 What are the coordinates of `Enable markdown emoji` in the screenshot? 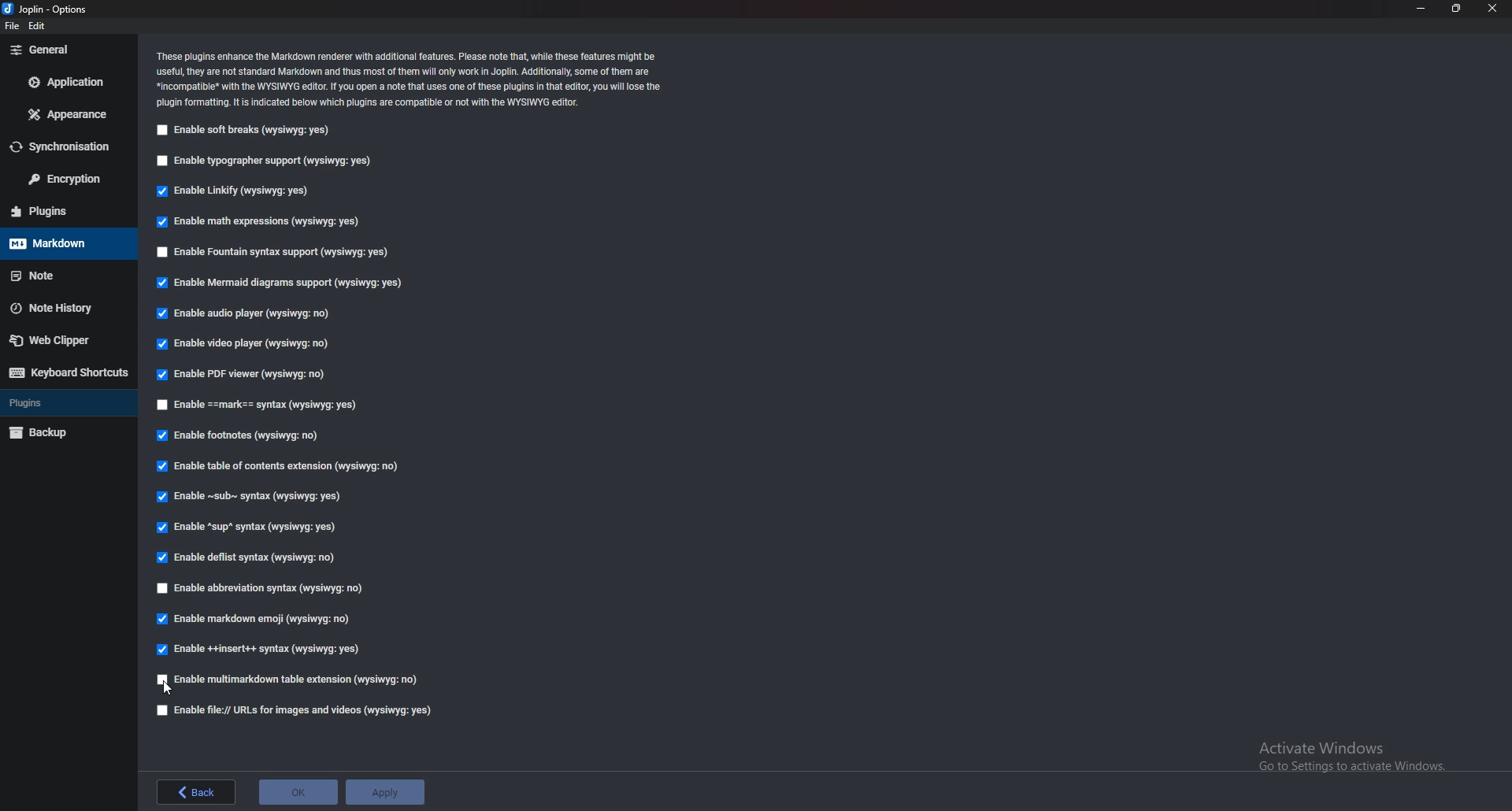 It's located at (259, 617).